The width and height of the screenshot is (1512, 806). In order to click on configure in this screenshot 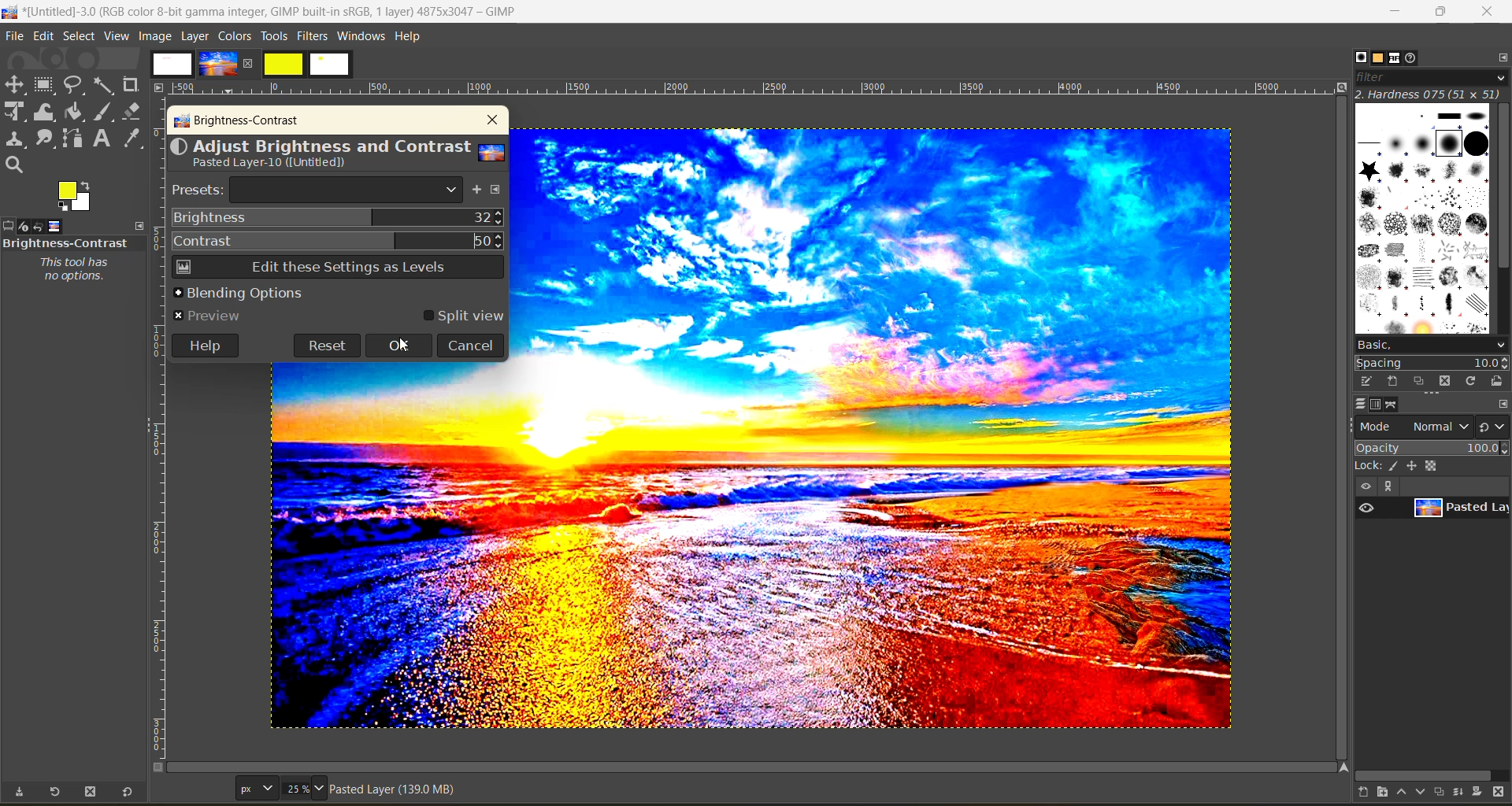, I will do `click(498, 191)`.